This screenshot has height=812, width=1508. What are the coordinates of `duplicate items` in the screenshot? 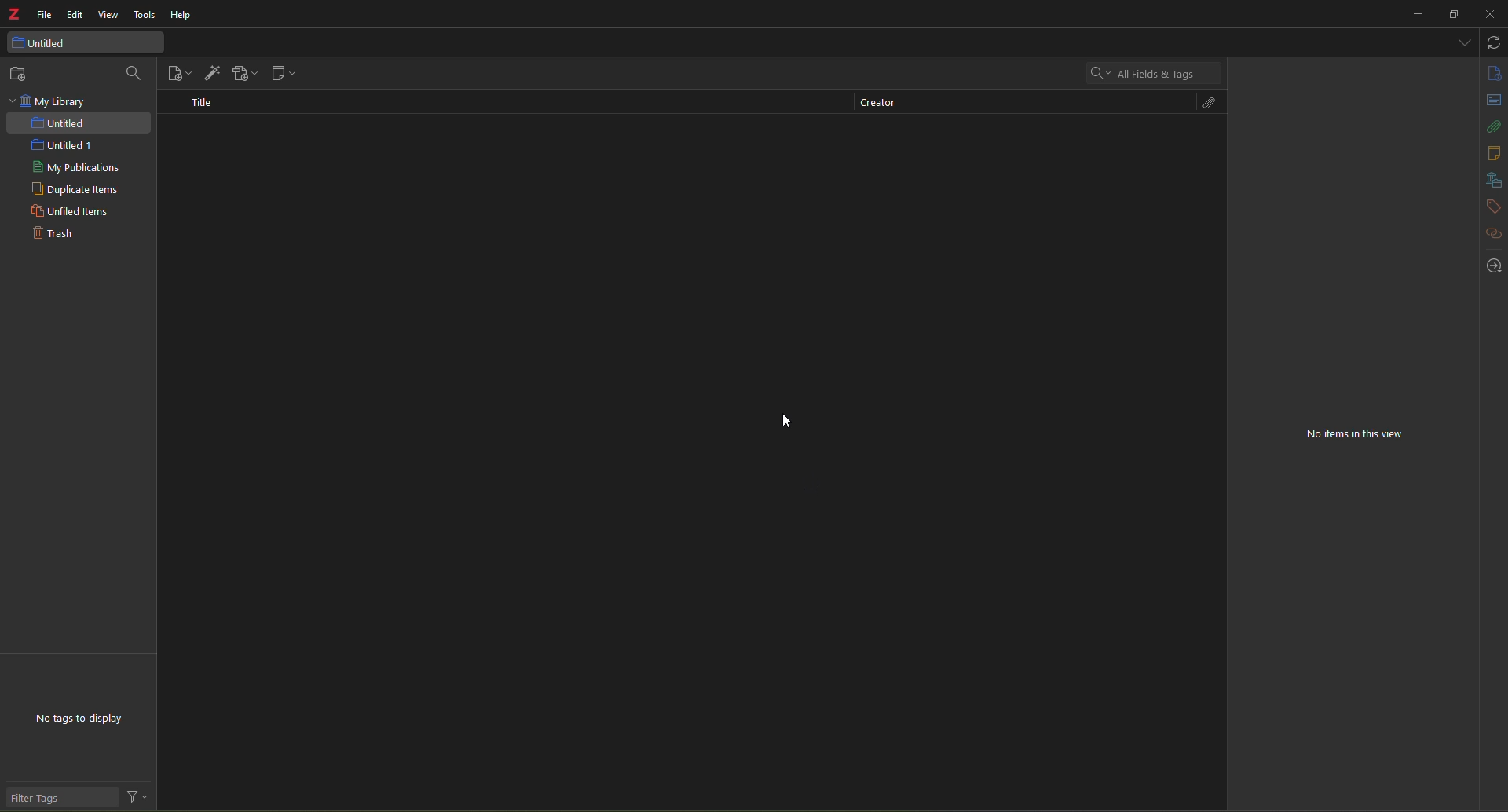 It's located at (74, 190).